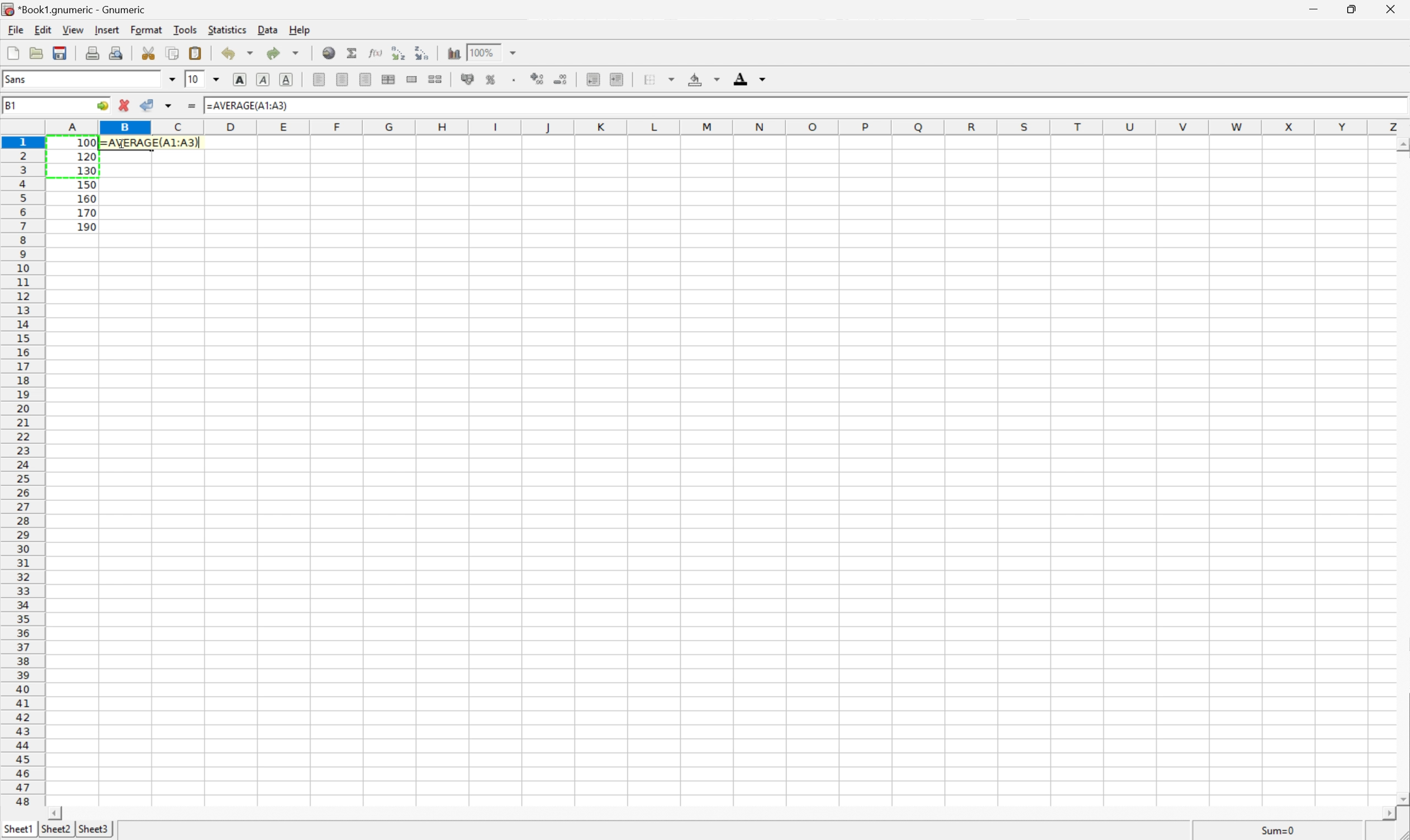  I want to click on Print current file, so click(93, 52).